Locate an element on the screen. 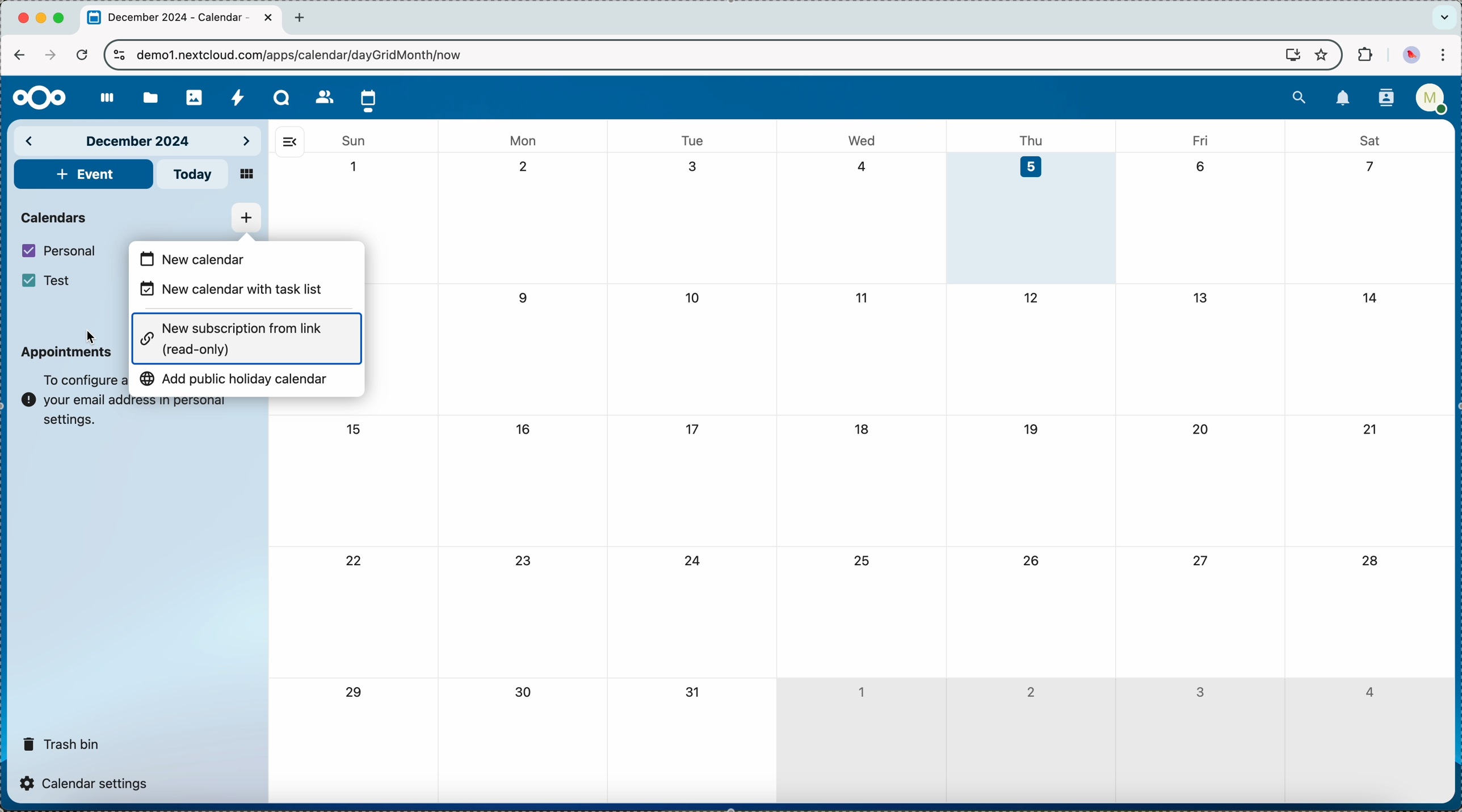 This screenshot has height=812, width=1462. click on add new calendar is located at coordinates (246, 218).